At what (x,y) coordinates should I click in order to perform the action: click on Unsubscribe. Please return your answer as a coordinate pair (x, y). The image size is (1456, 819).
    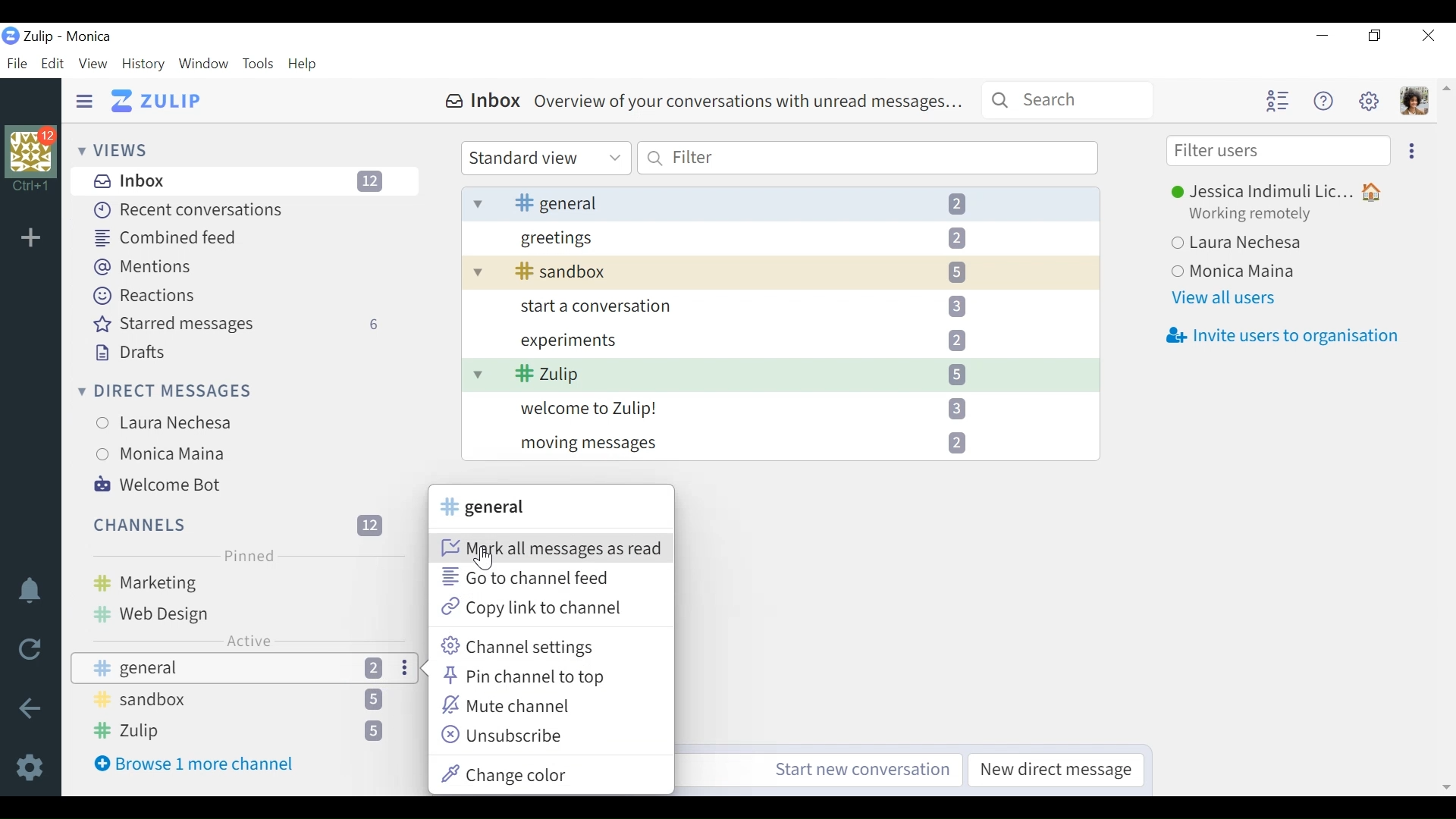
    Looking at the image, I should click on (504, 733).